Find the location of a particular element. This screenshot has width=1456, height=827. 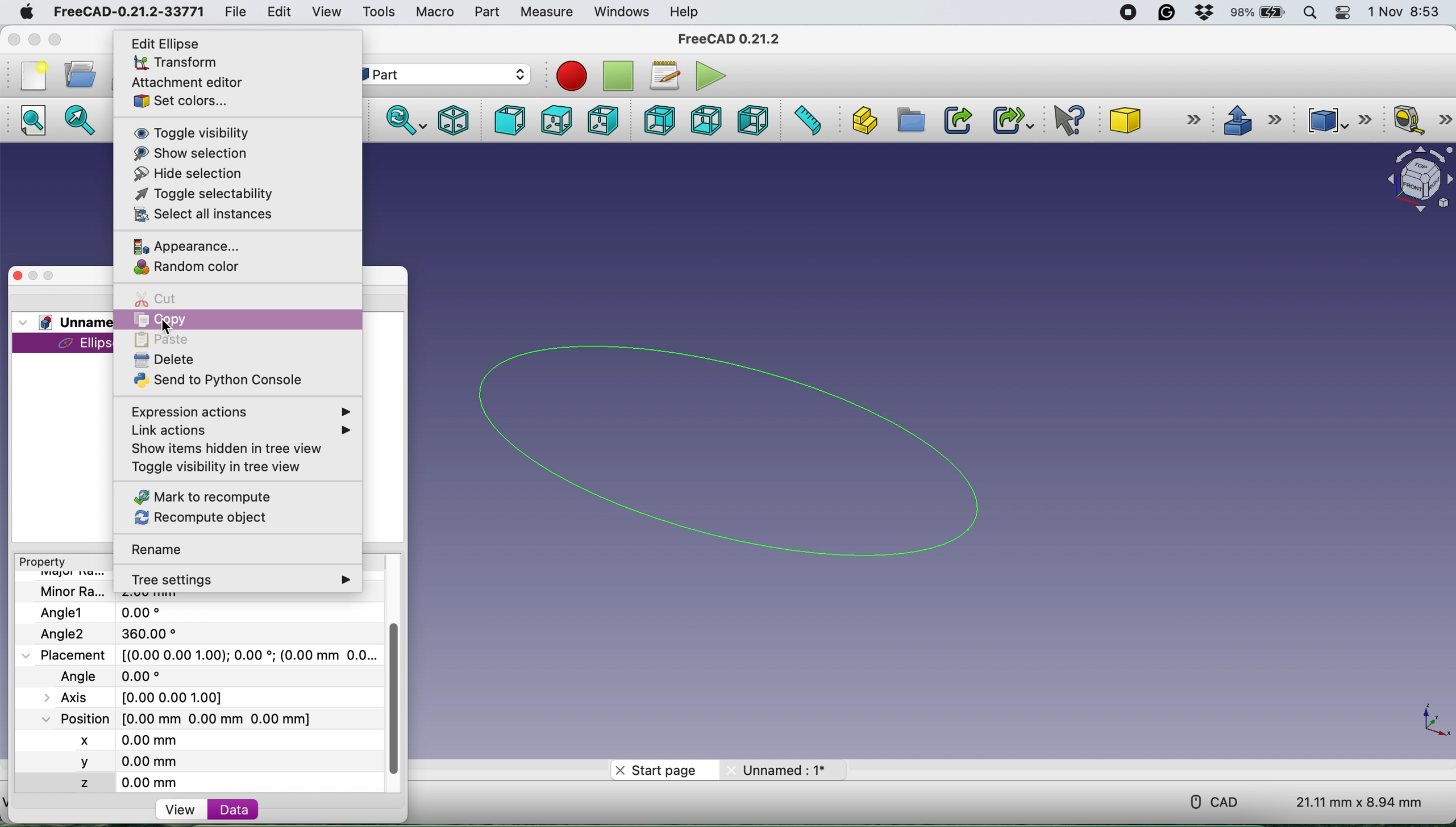

left is located at coordinates (752, 120).